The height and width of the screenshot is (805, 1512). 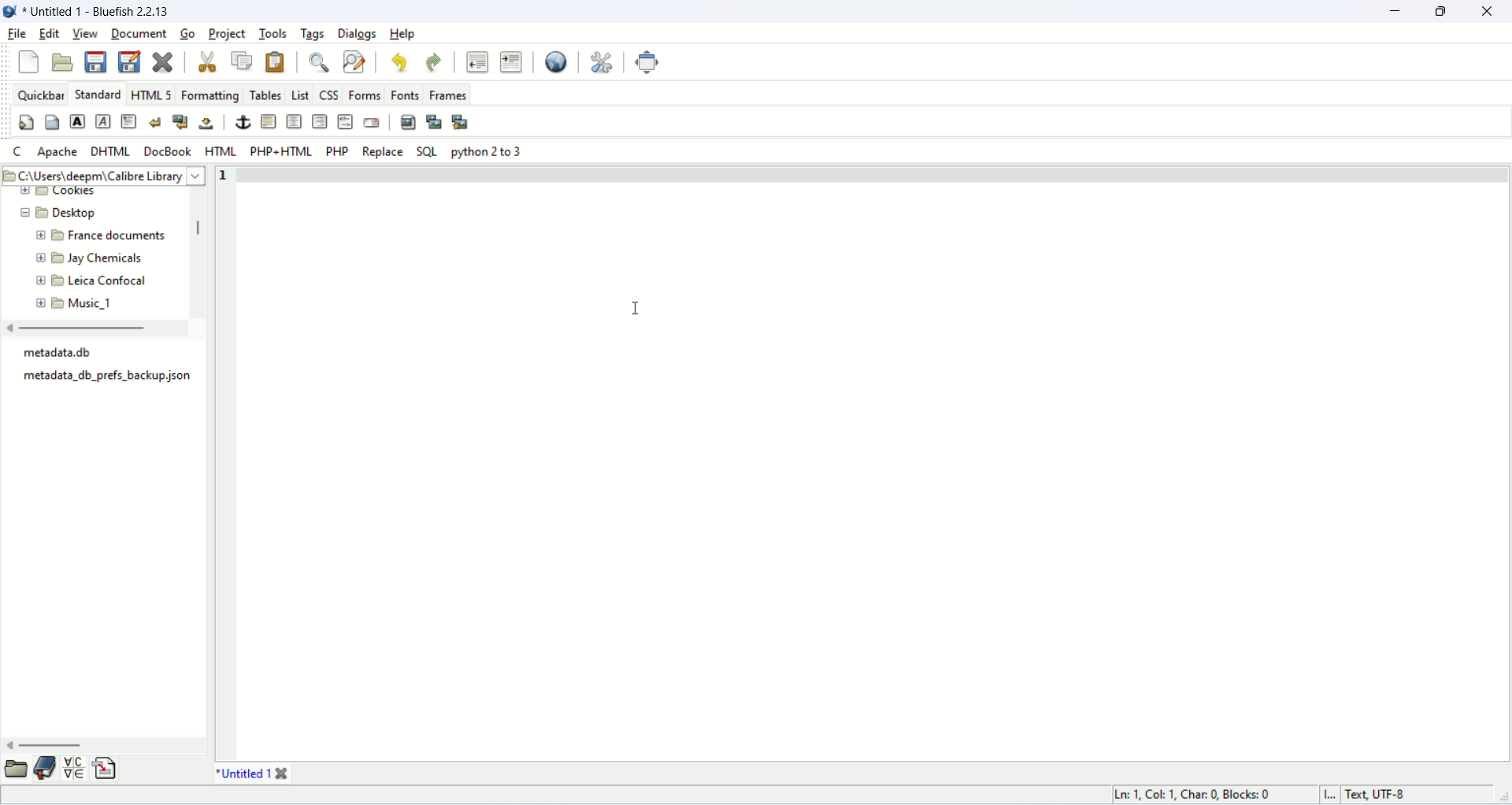 What do you see at coordinates (448, 95) in the screenshot?
I see `frames` at bounding box center [448, 95].